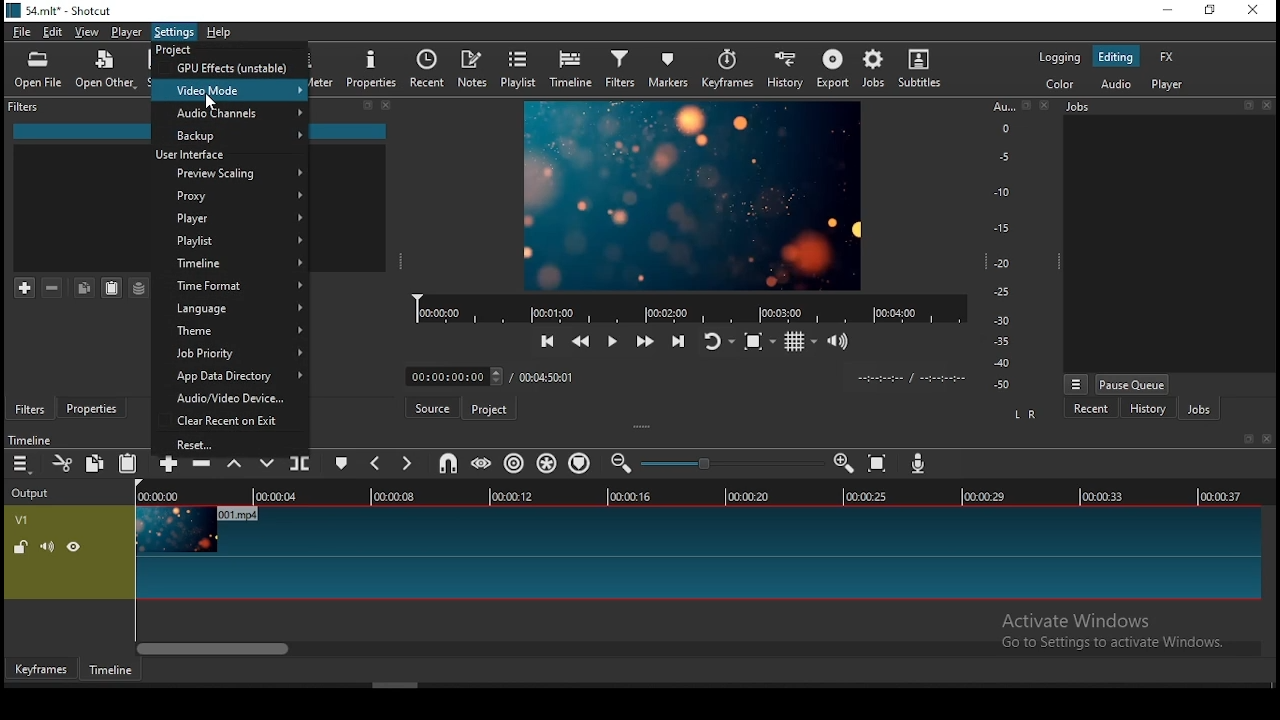 This screenshot has width=1280, height=720. What do you see at coordinates (168, 467) in the screenshot?
I see `append` at bounding box center [168, 467].